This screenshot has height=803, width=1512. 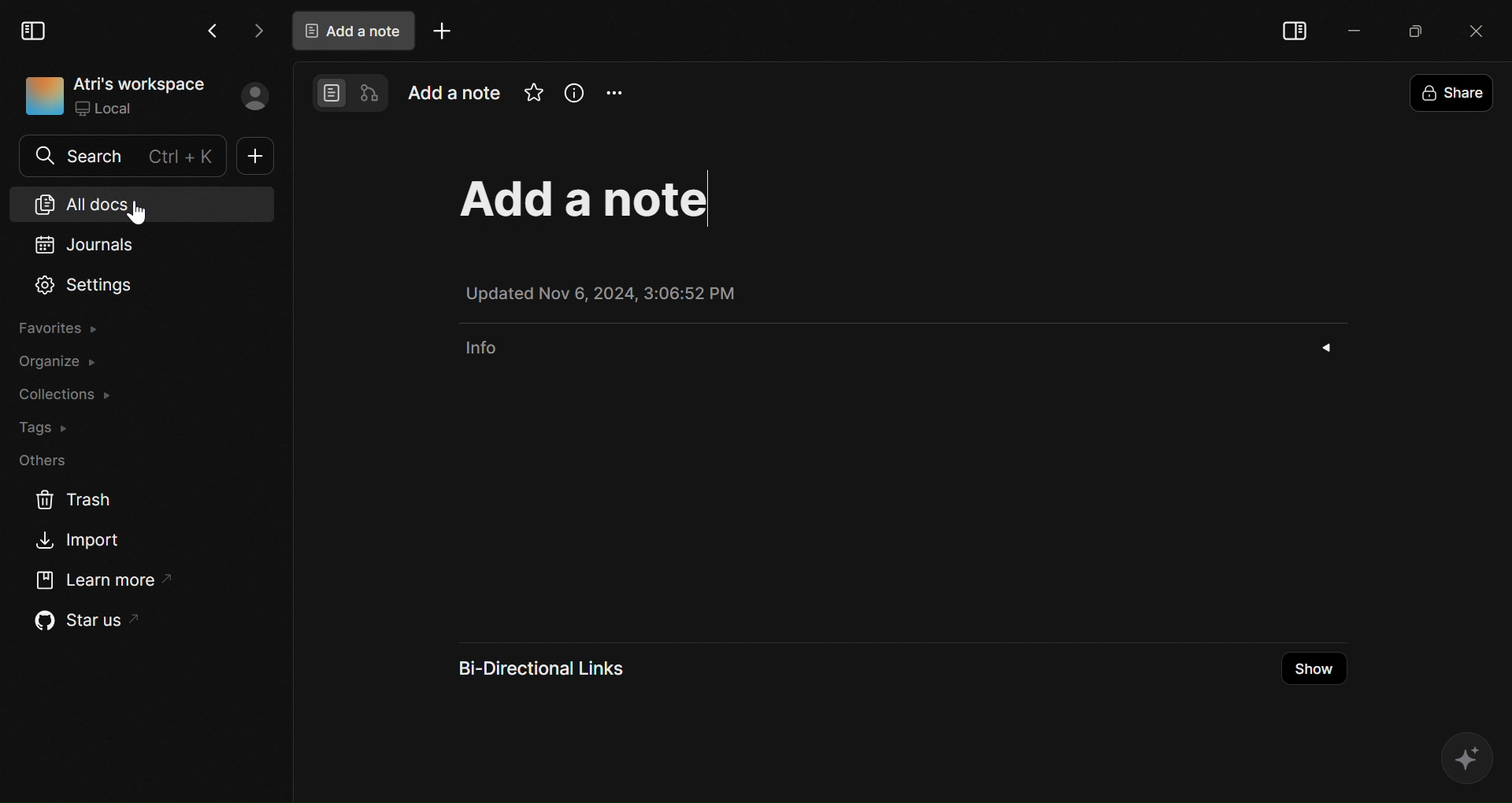 What do you see at coordinates (43, 426) in the screenshot?
I see `Tags` at bounding box center [43, 426].